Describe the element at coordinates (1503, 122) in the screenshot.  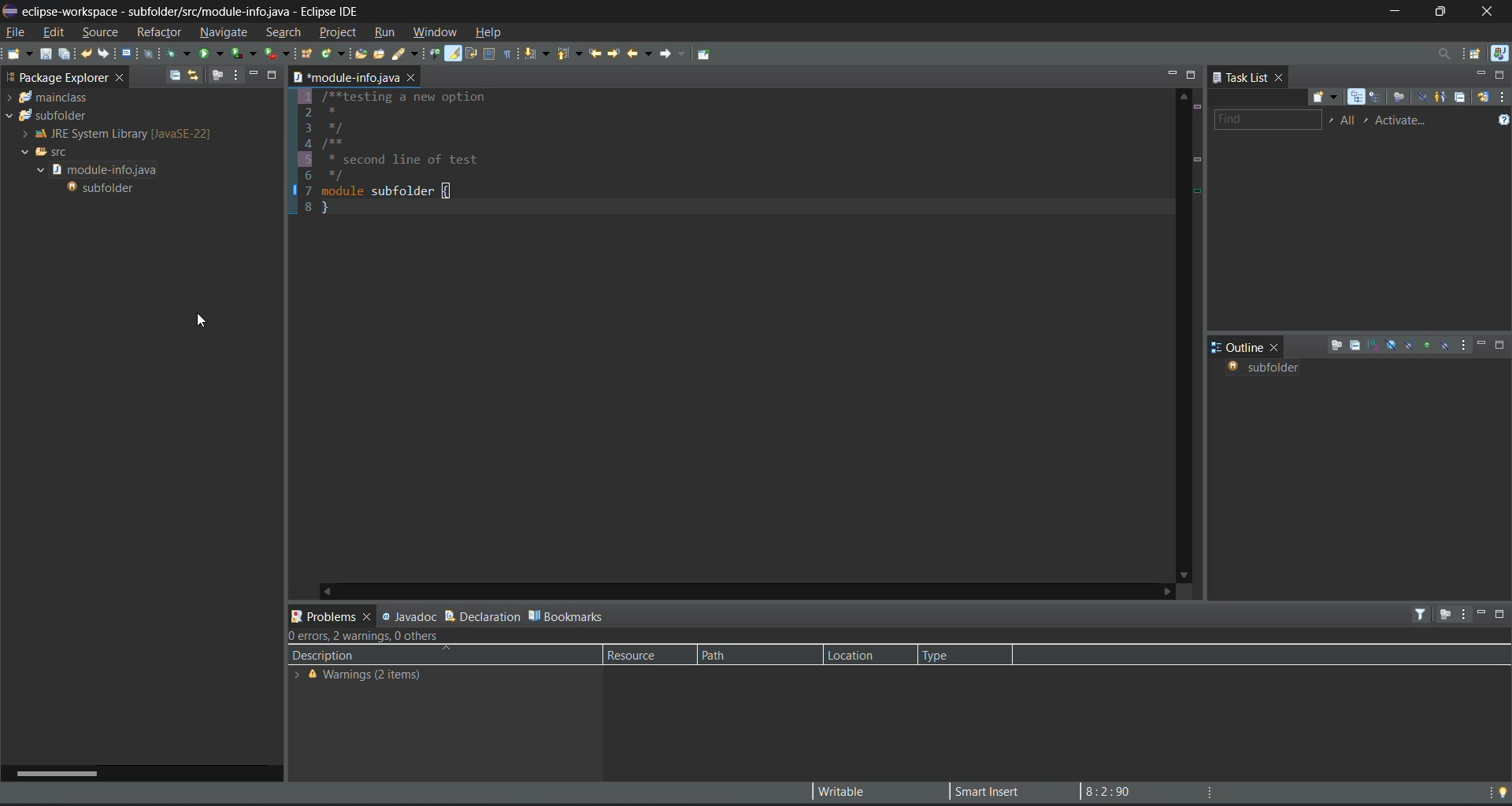
I see `show tasks UI legend` at that location.